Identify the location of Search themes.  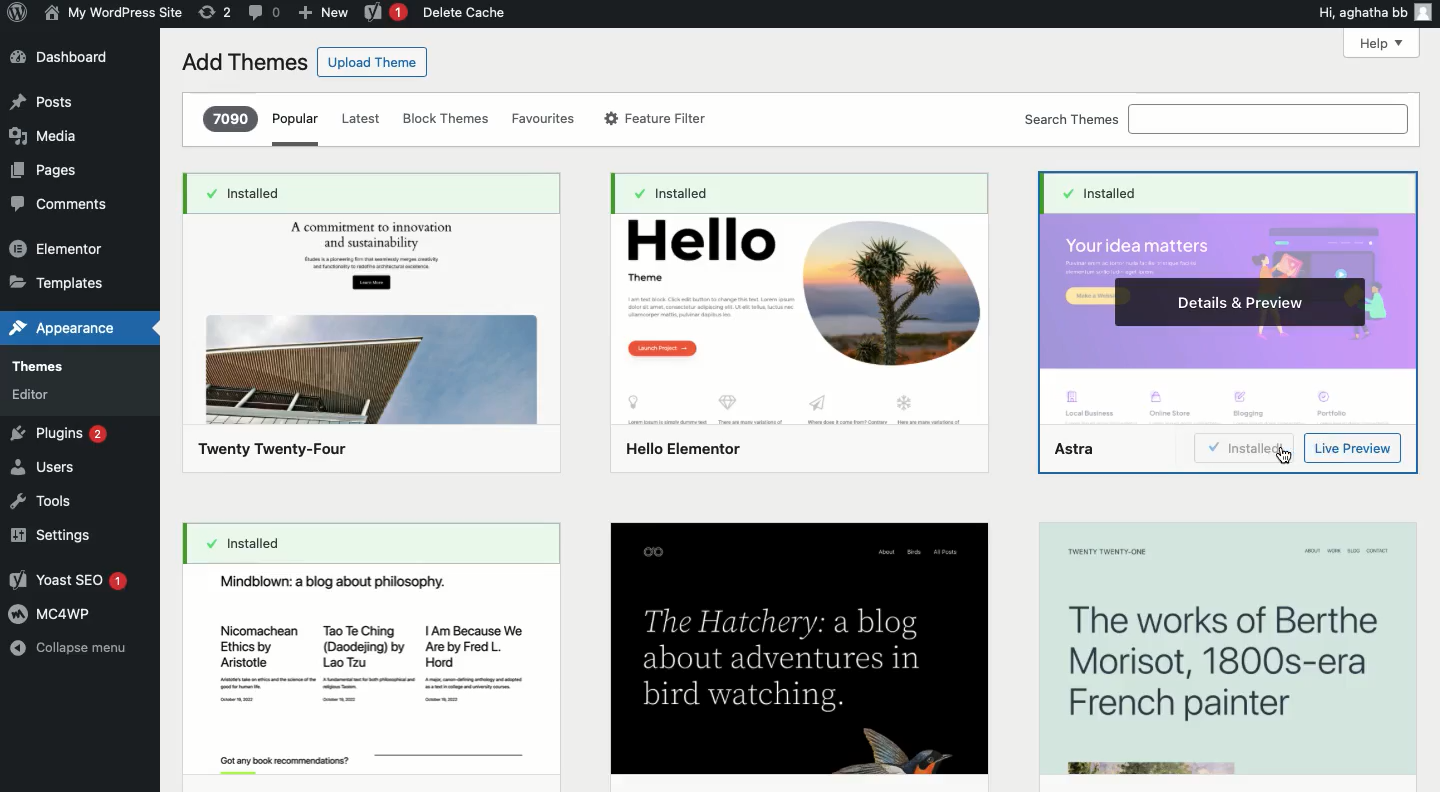
(1214, 119).